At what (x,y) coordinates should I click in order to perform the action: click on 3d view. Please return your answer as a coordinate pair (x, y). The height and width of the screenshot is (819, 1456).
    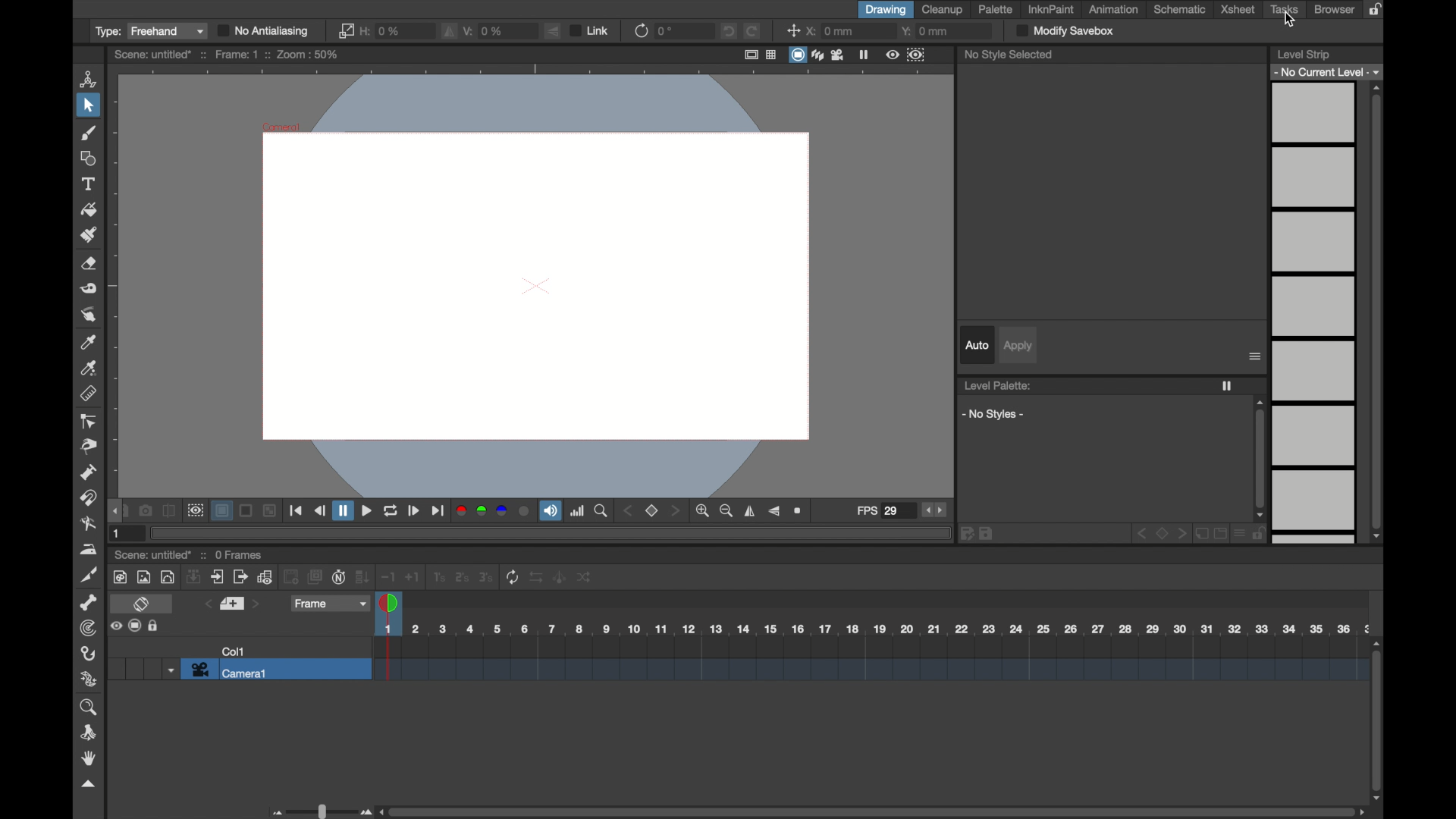
    Looking at the image, I should click on (818, 54).